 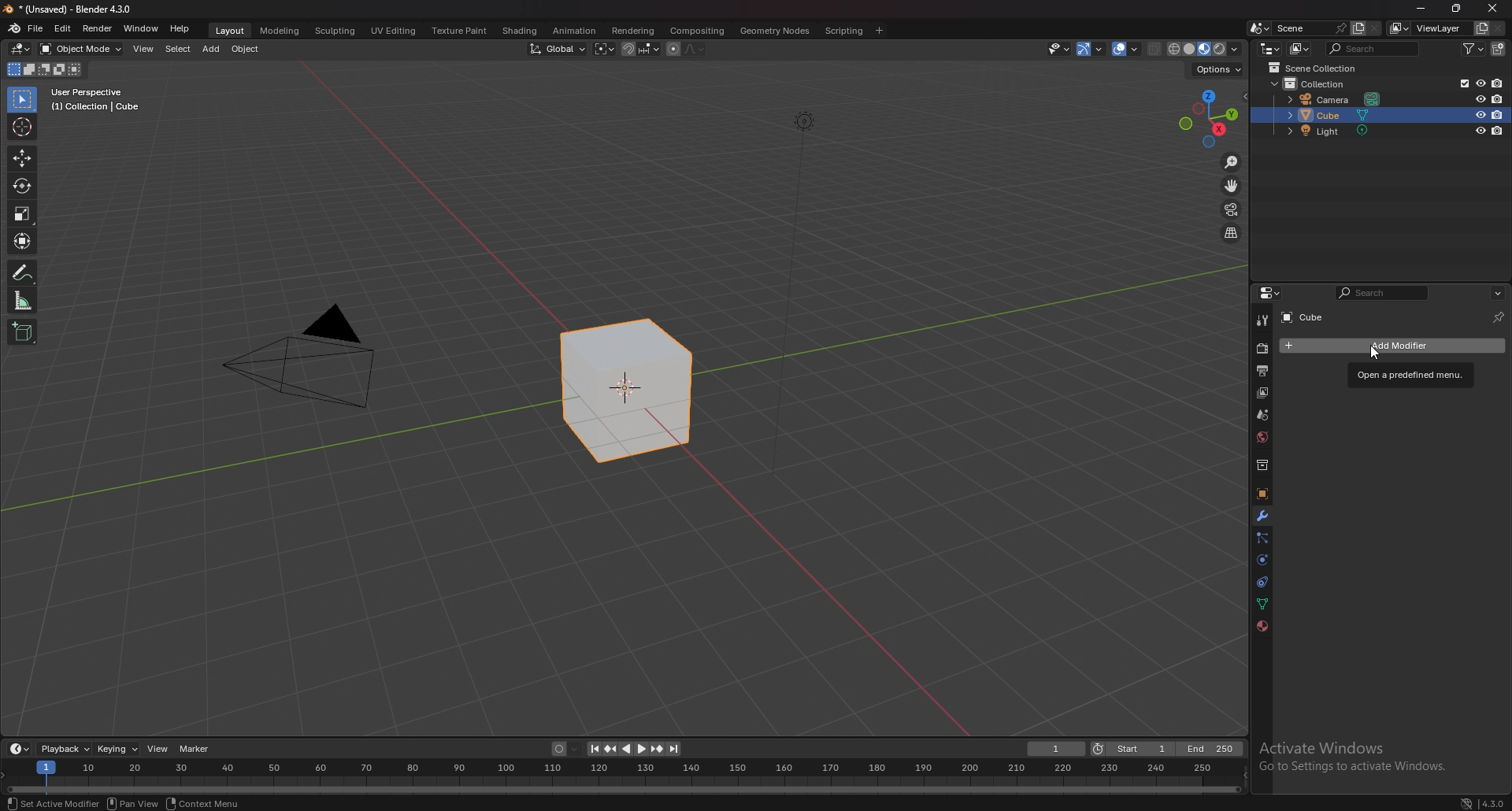 I want to click on disable in renders, so click(x=1498, y=99).